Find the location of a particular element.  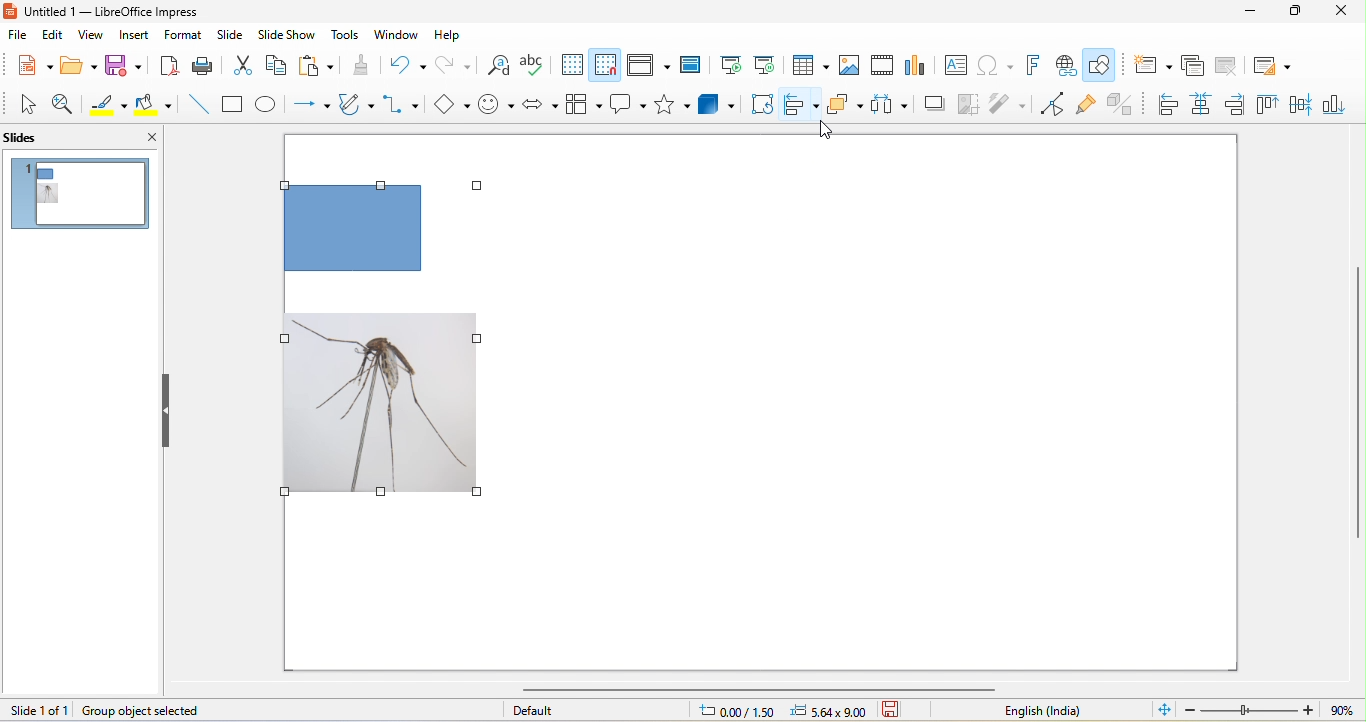

undo is located at coordinates (406, 64).